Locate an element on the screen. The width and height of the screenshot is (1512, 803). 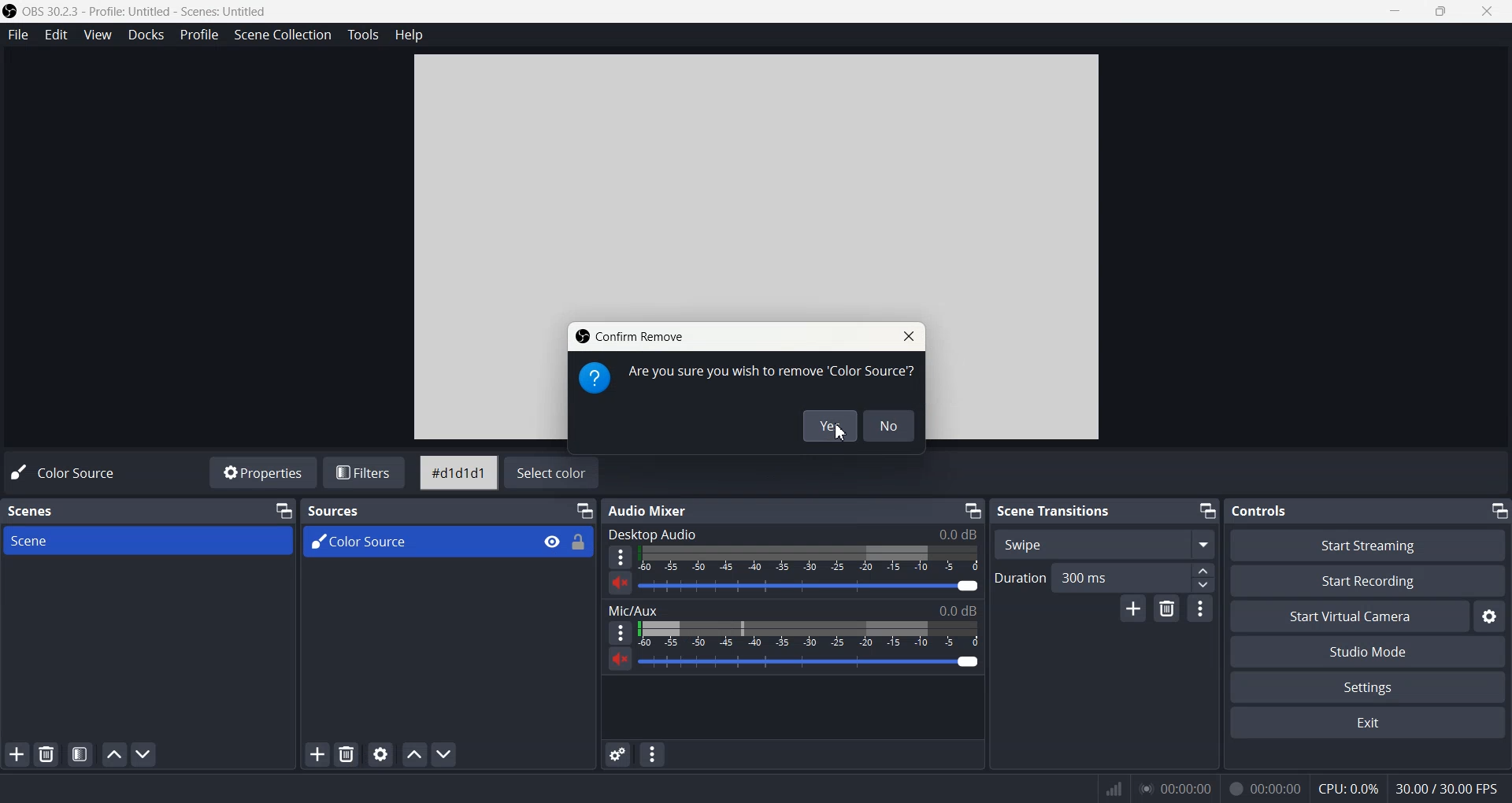
Studio Mode is located at coordinates (1369, 653).